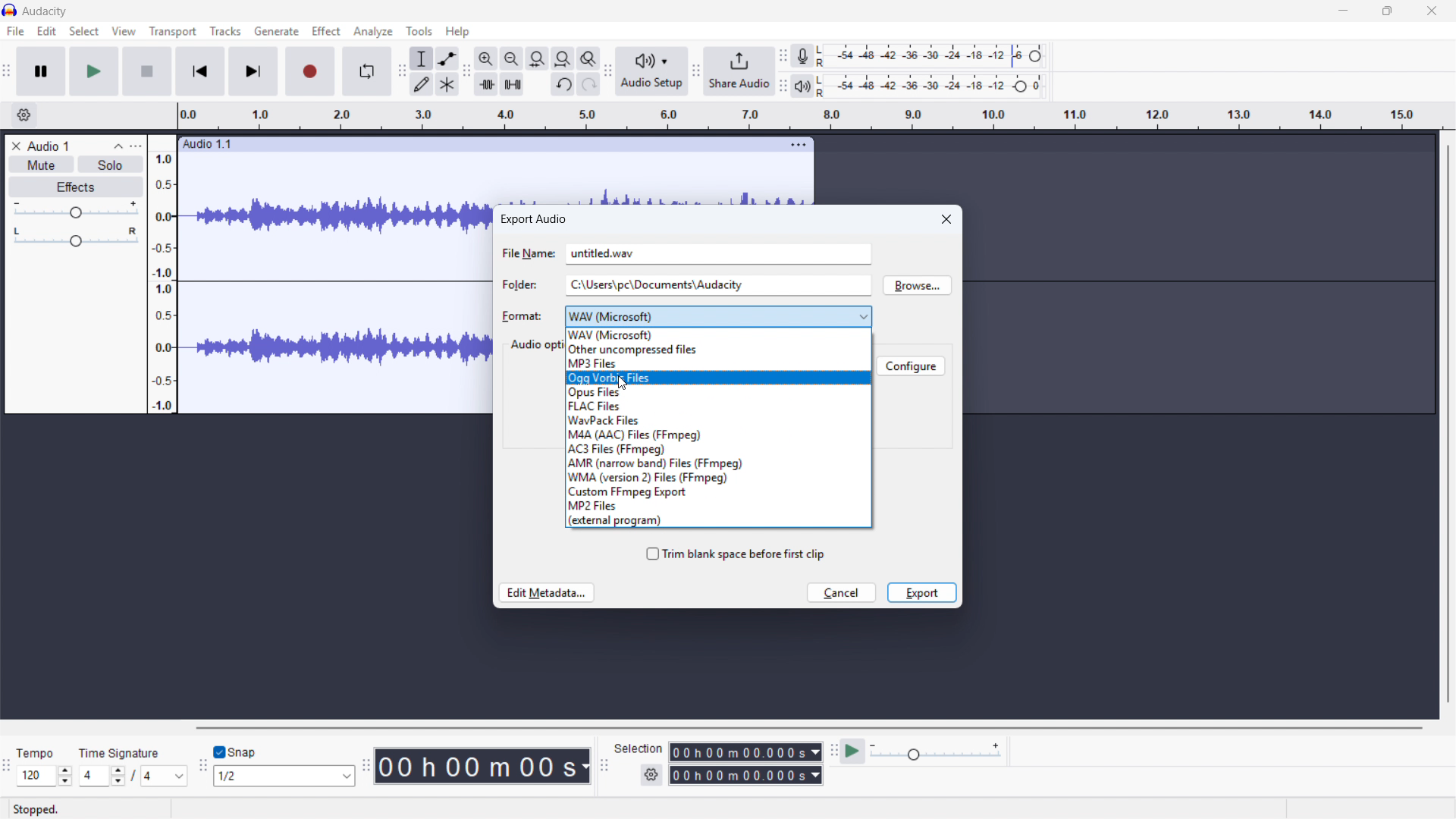 The width and height of the screenshot is (1456, 819). Describe the element at coordinates (167, 777) in the screenshot. I see `Set time signature ` at that location.